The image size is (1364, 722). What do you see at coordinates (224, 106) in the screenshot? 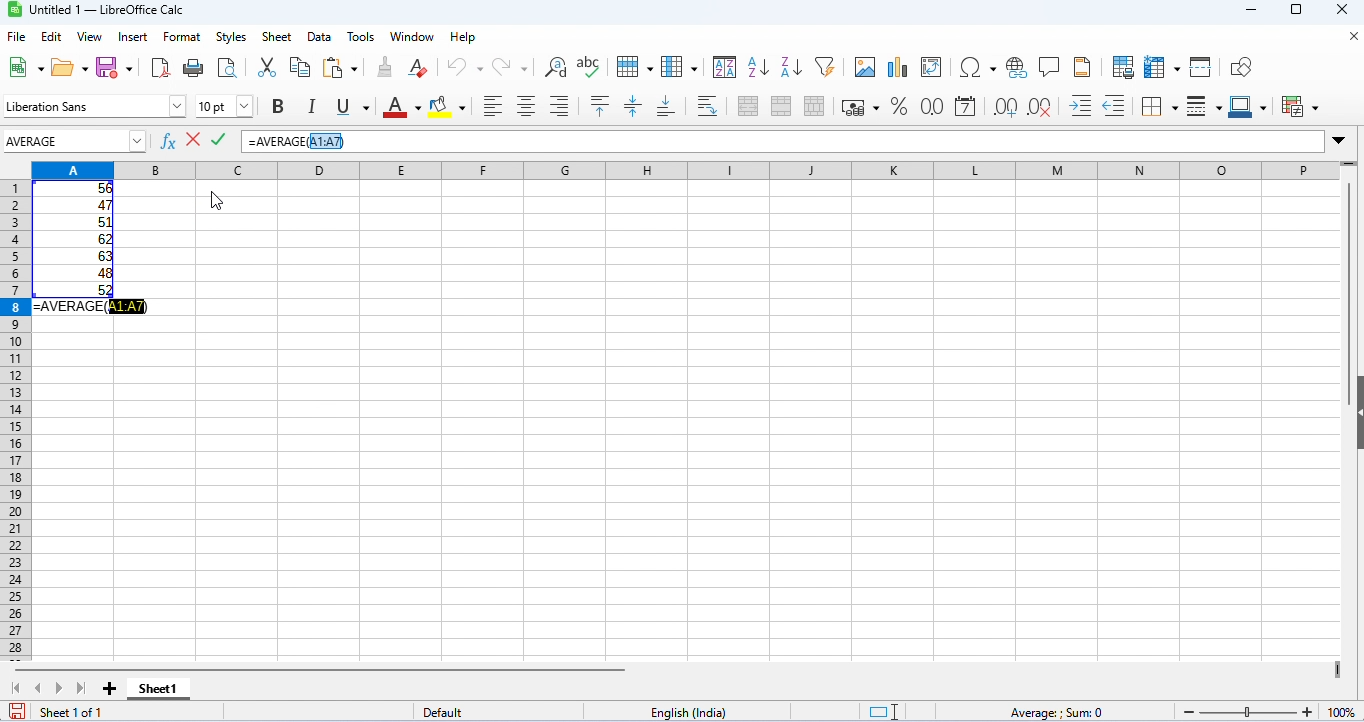
I see `font size` at bounding box center [224, 106].